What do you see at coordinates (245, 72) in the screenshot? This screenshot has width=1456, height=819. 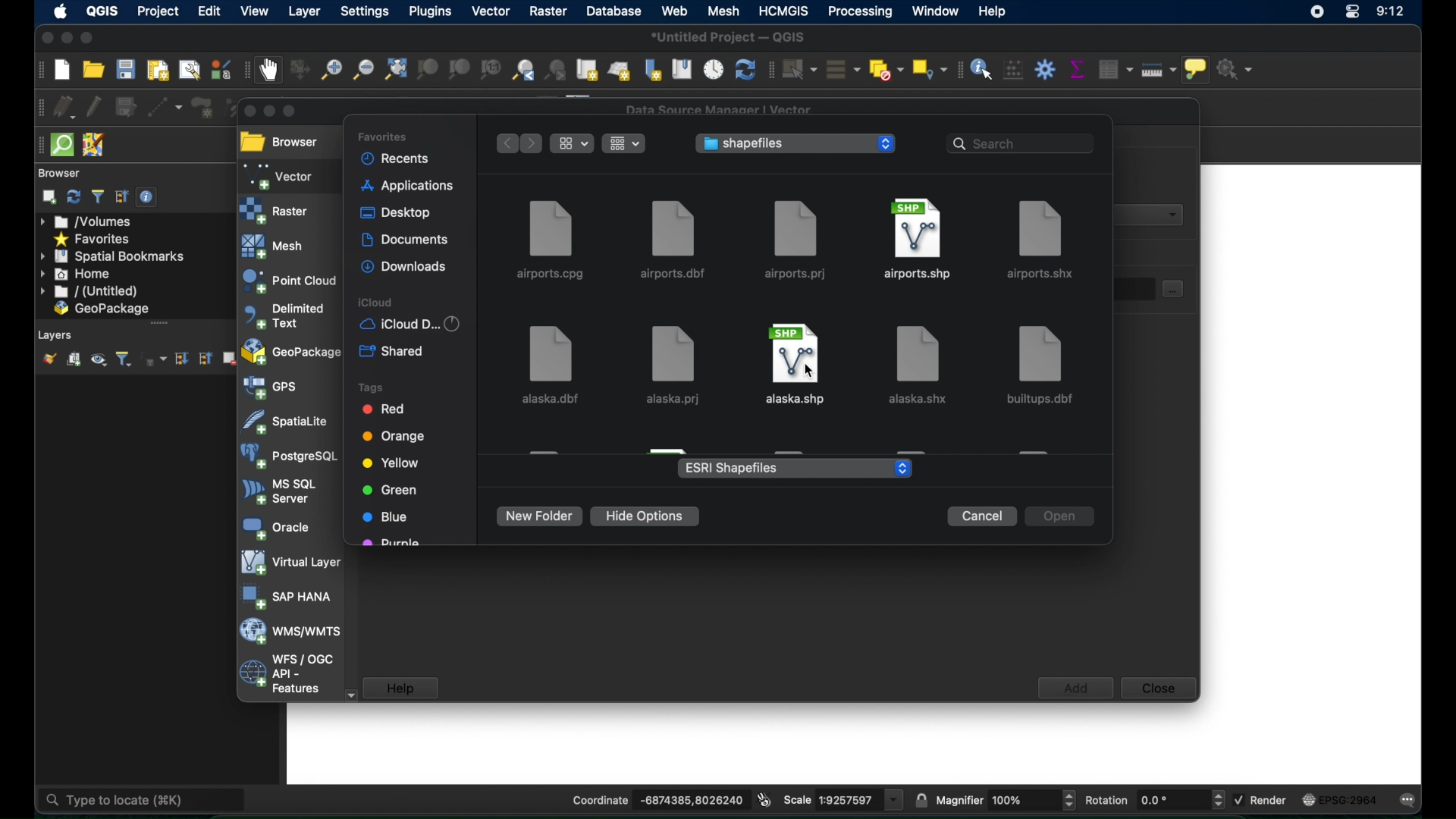 I see `map navigation toolbar` at bounding box center [245, 72].